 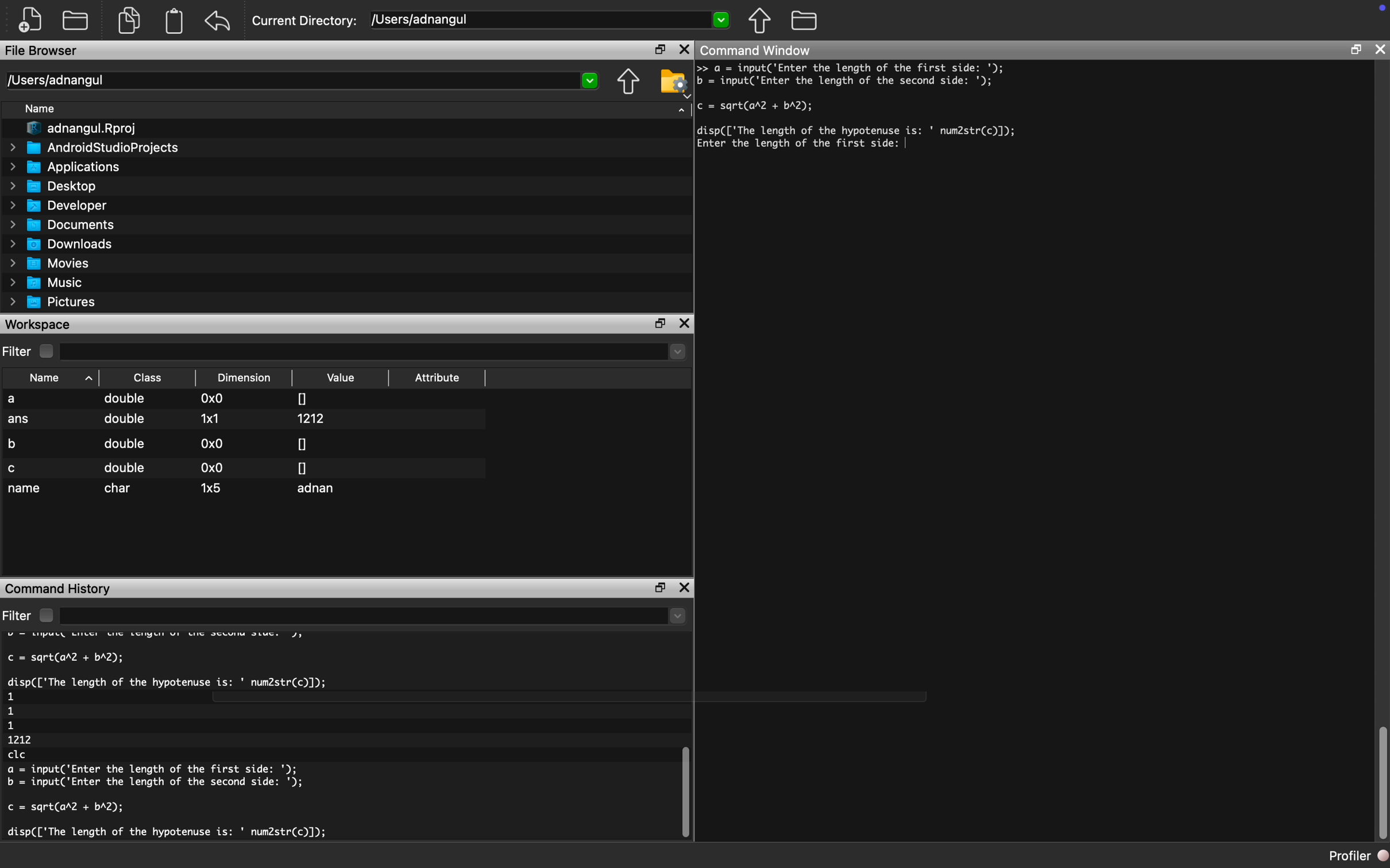 I want to click on close, so click(x=686, y=590).